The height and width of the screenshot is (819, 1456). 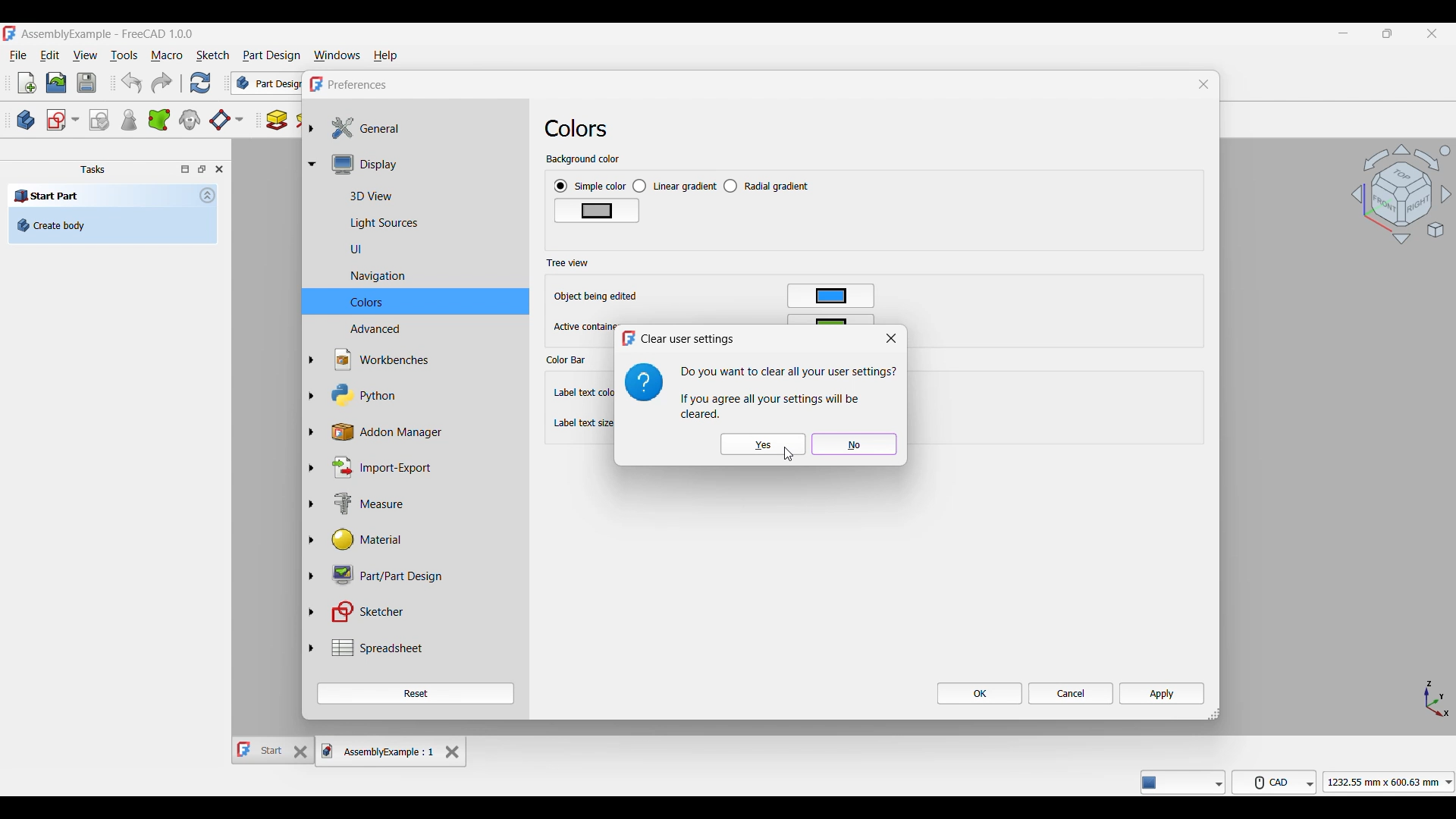 What do you see at coordinates (101, 196) in the screenshot?
I see `Start Part - section title` at bounding box center [101, 196].